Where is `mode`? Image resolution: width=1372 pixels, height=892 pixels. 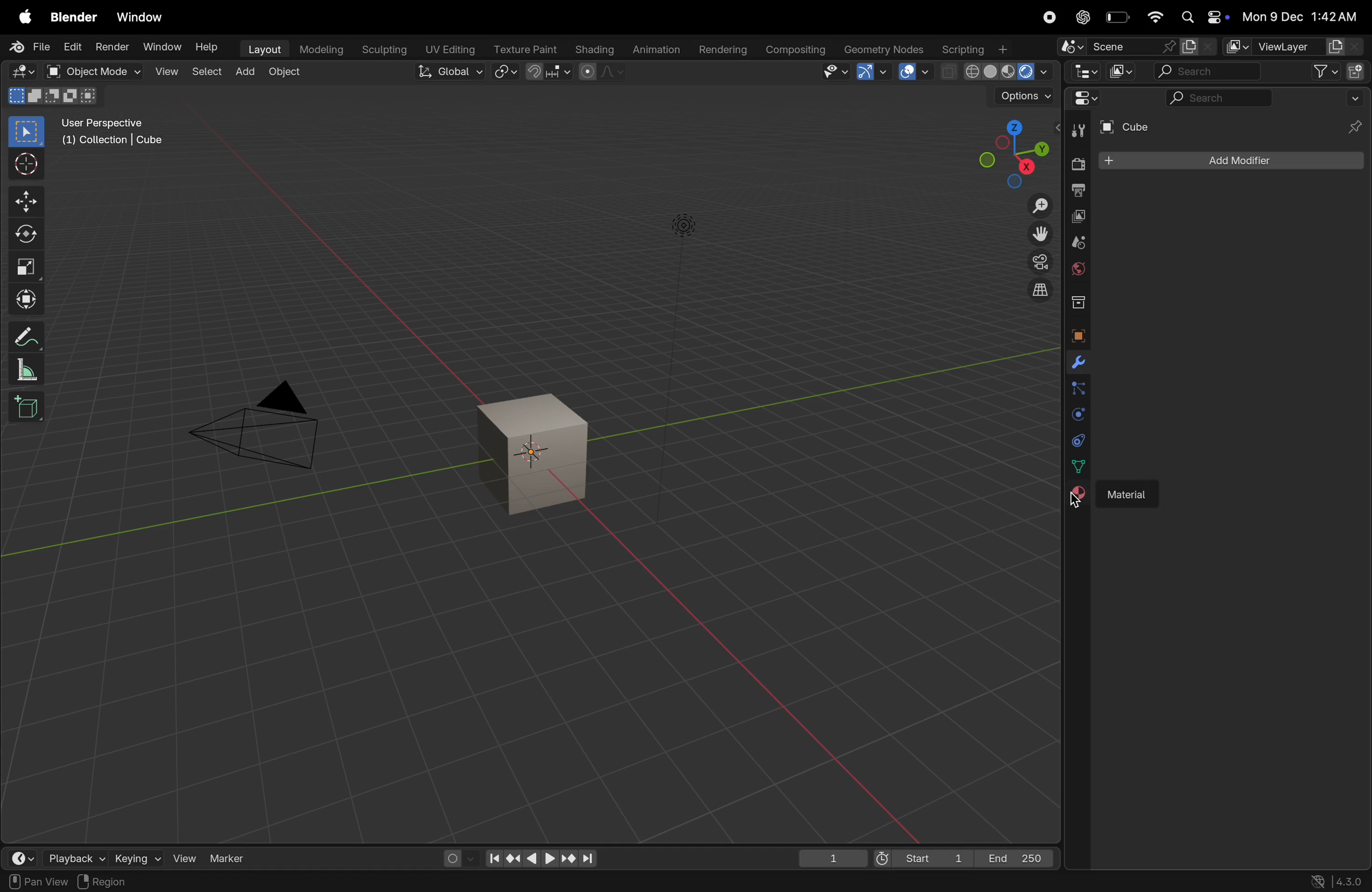 mode is located at coordinates (54, 95).